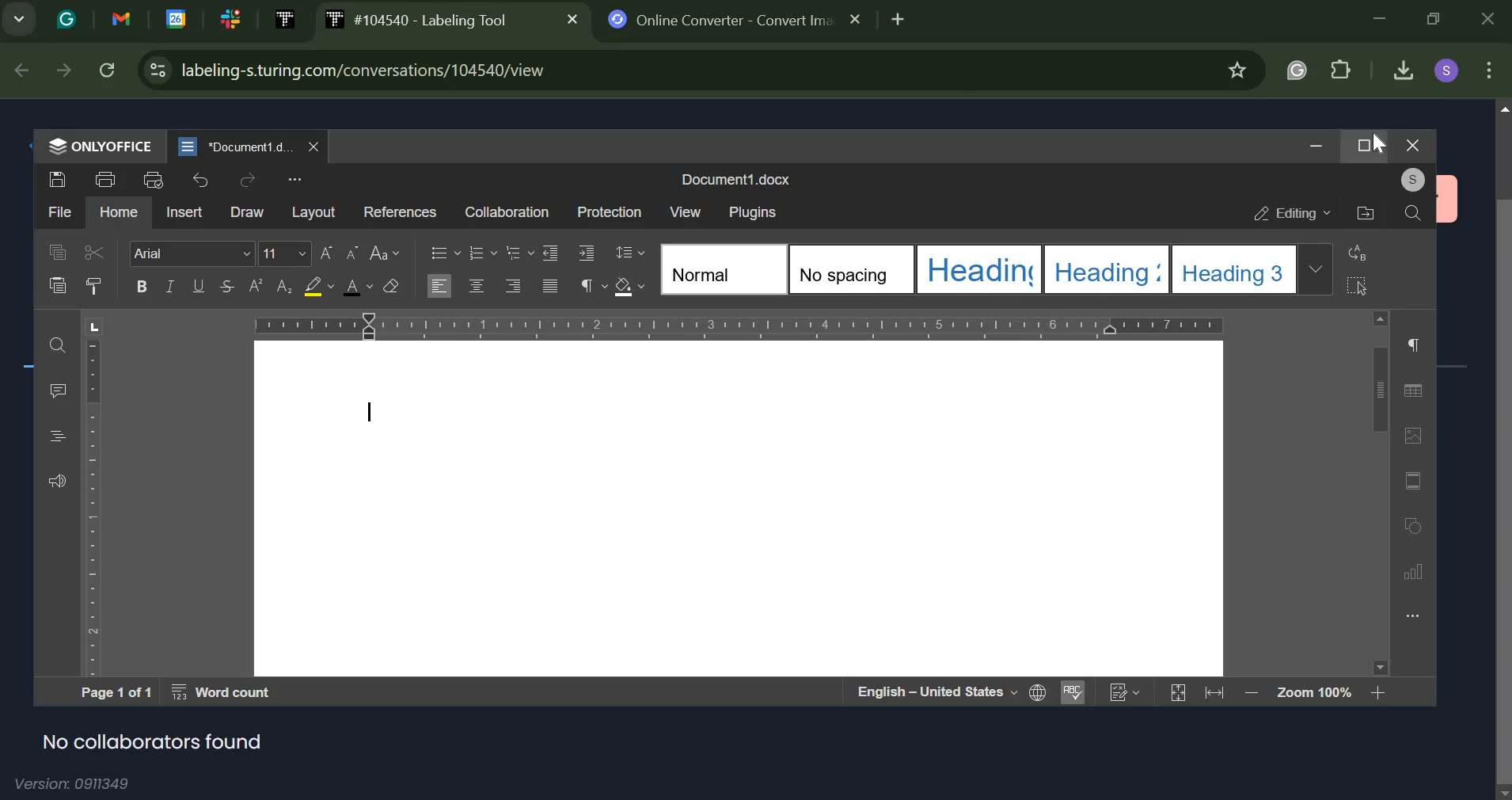  I want to click on menu, so click(57, 436).